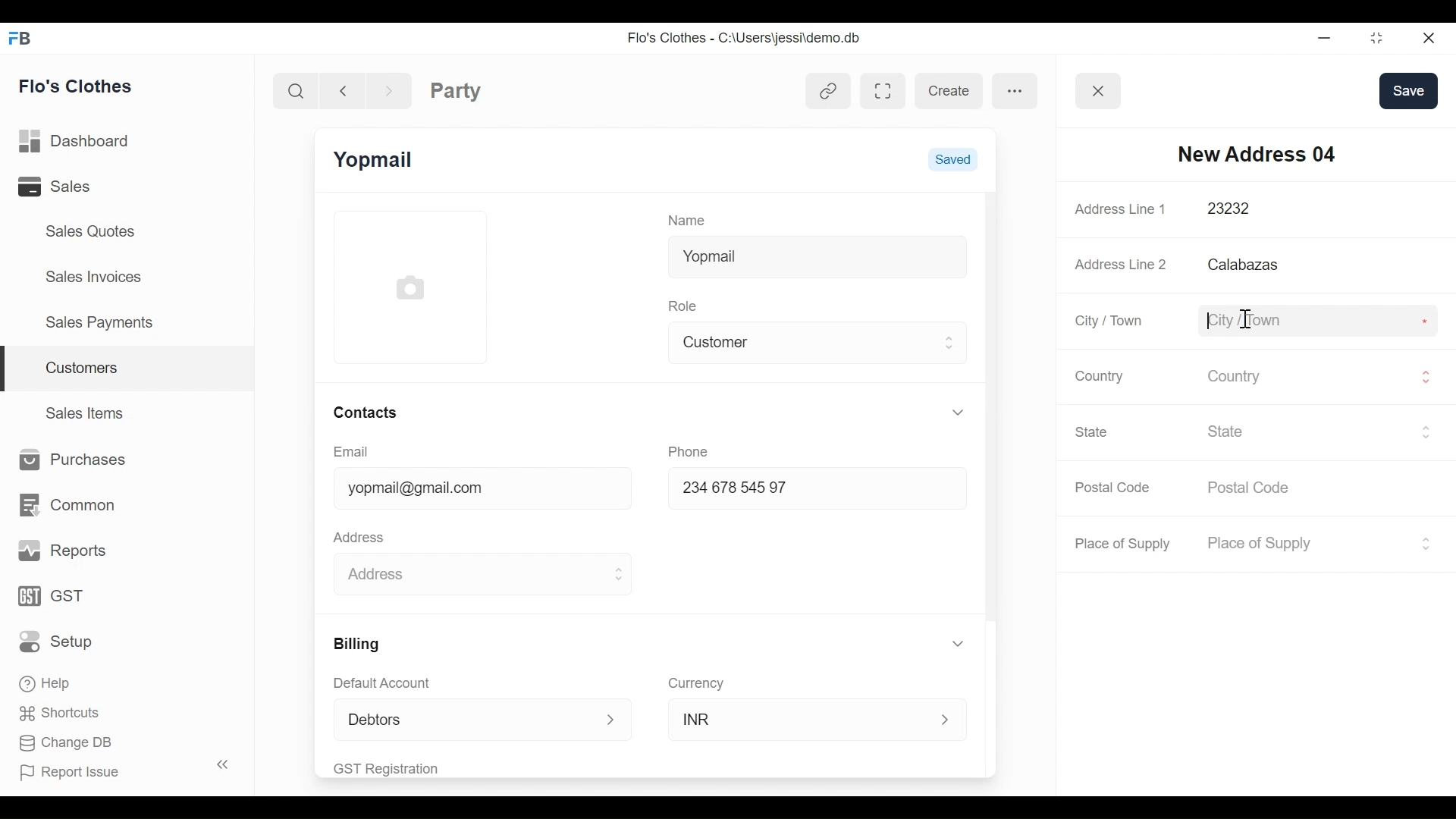 The width and height of the screenshot is (1456, 819). I want to click on Place of Supply, so click(1304, 544).